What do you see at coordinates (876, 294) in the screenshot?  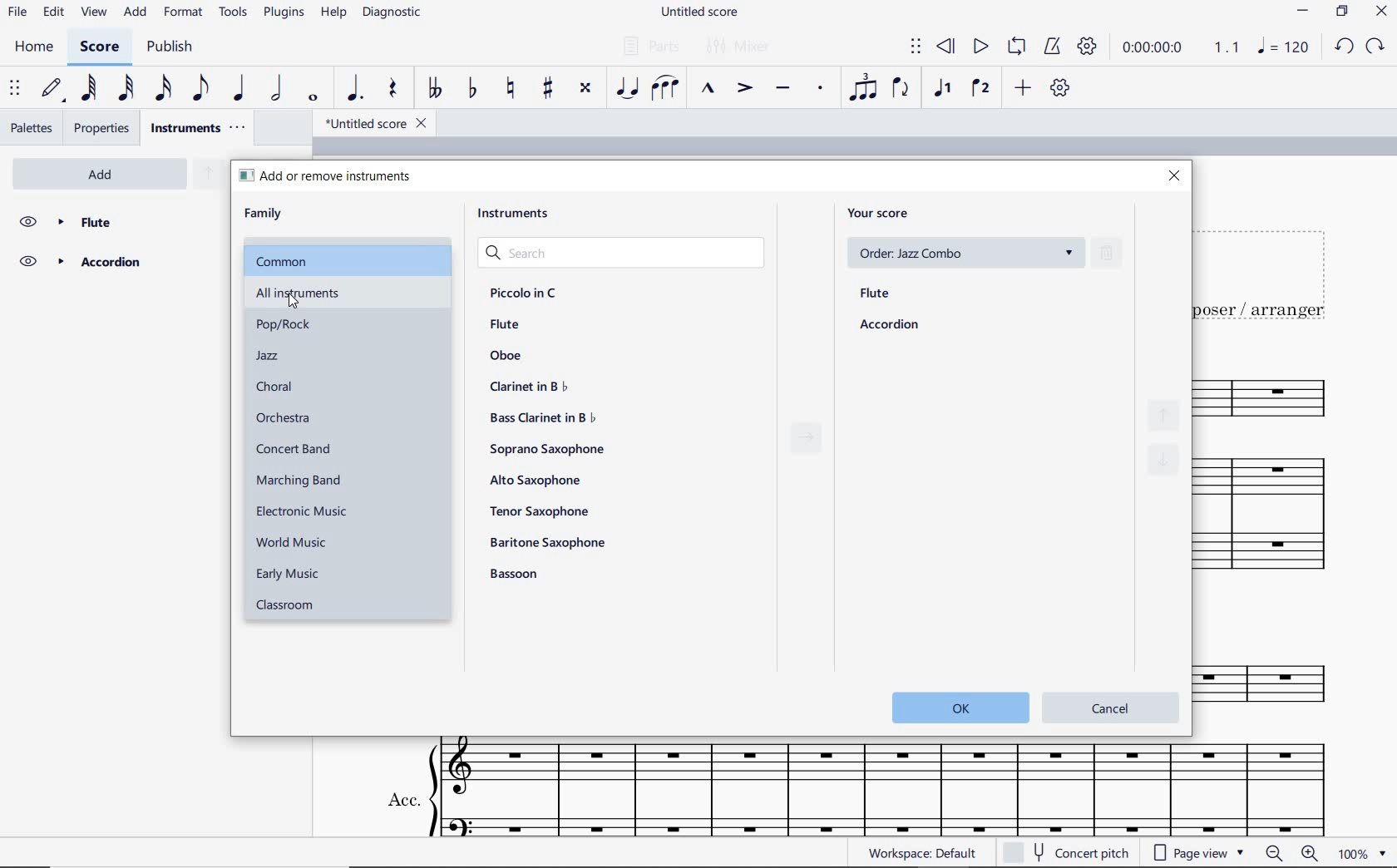 I see `flute` at bounding box center [876, 294].